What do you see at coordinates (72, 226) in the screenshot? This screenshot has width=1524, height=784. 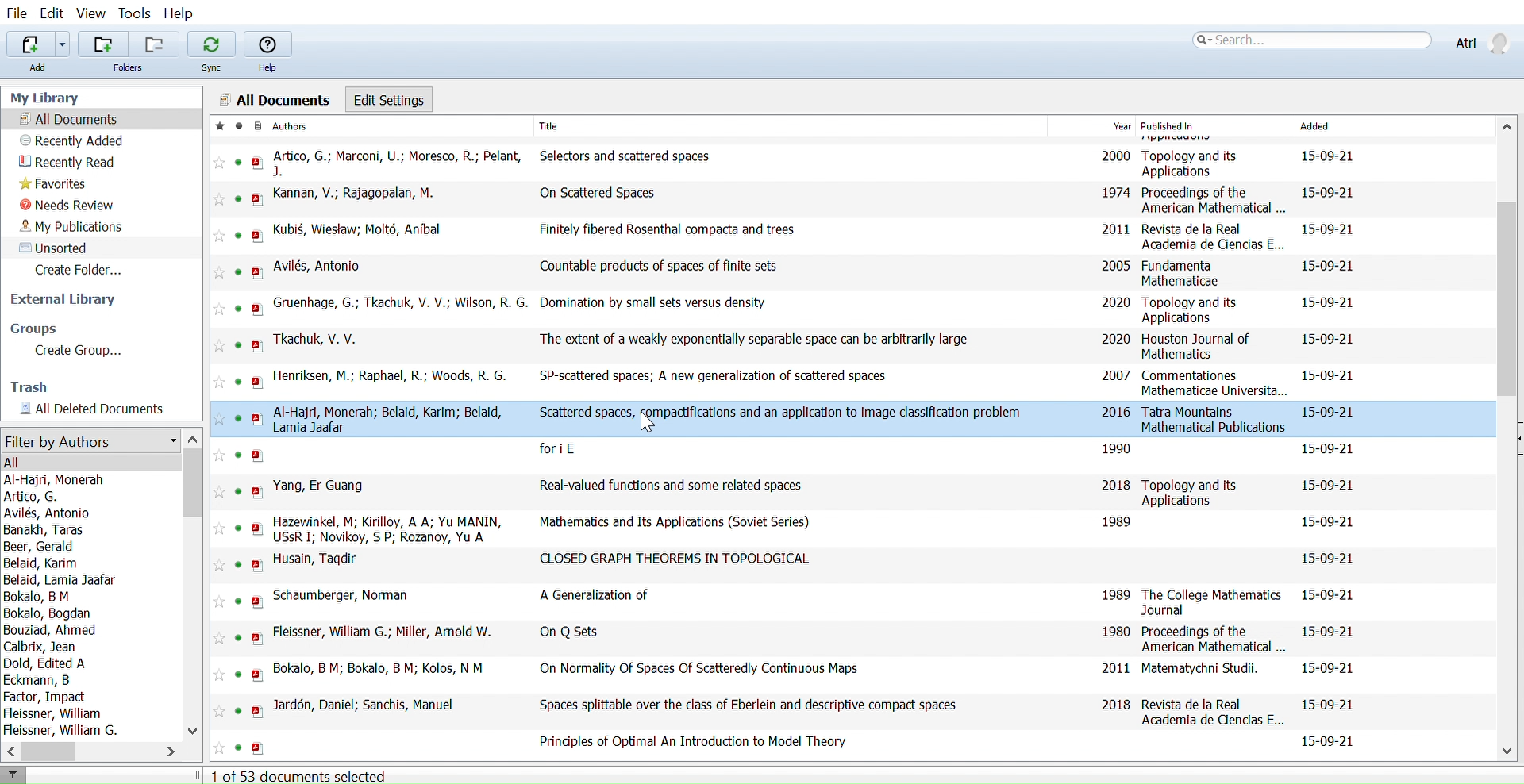 I see `My publications` at bounding box center [72, 226].